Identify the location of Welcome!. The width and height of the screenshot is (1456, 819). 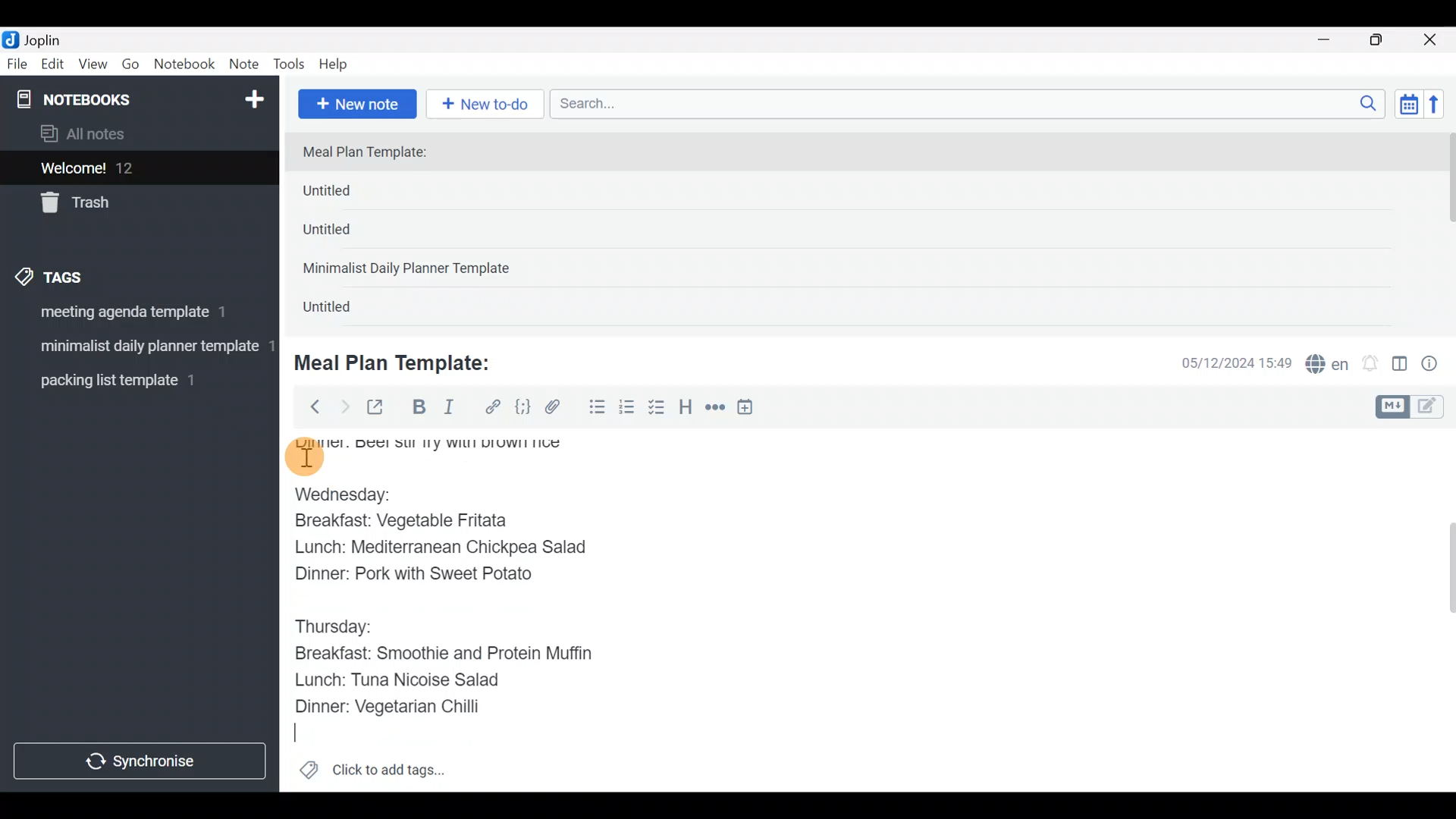
(137, 169).